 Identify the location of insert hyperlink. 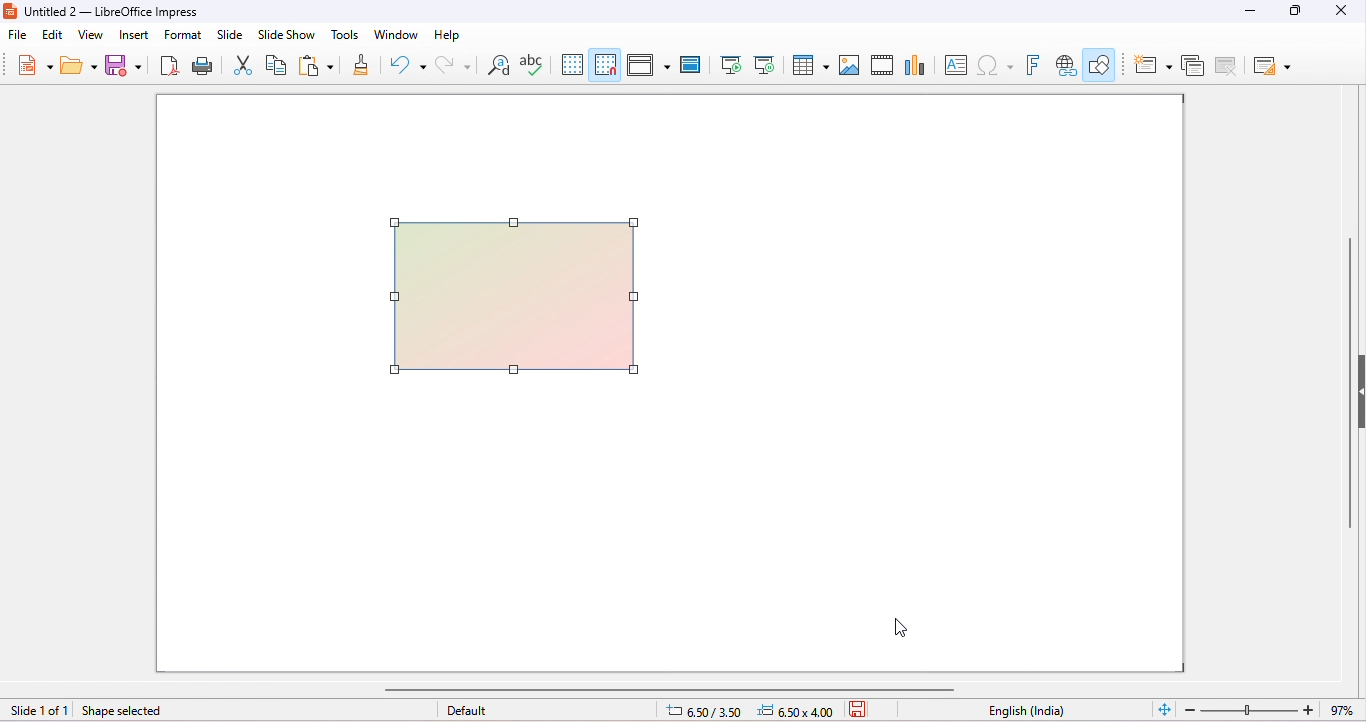
(1067, 65).